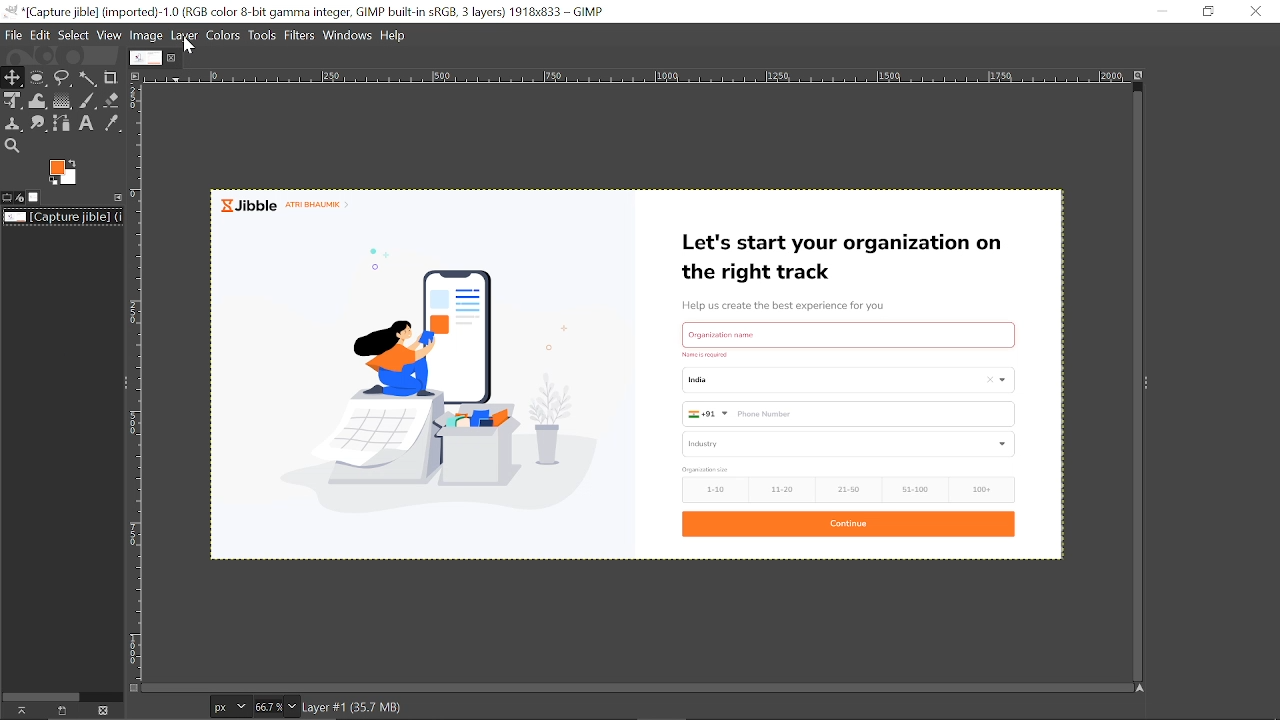  What do you see at coordinates (146, 57) in the screenshot?
I see `Current tab` at bounding box center [146, 57].